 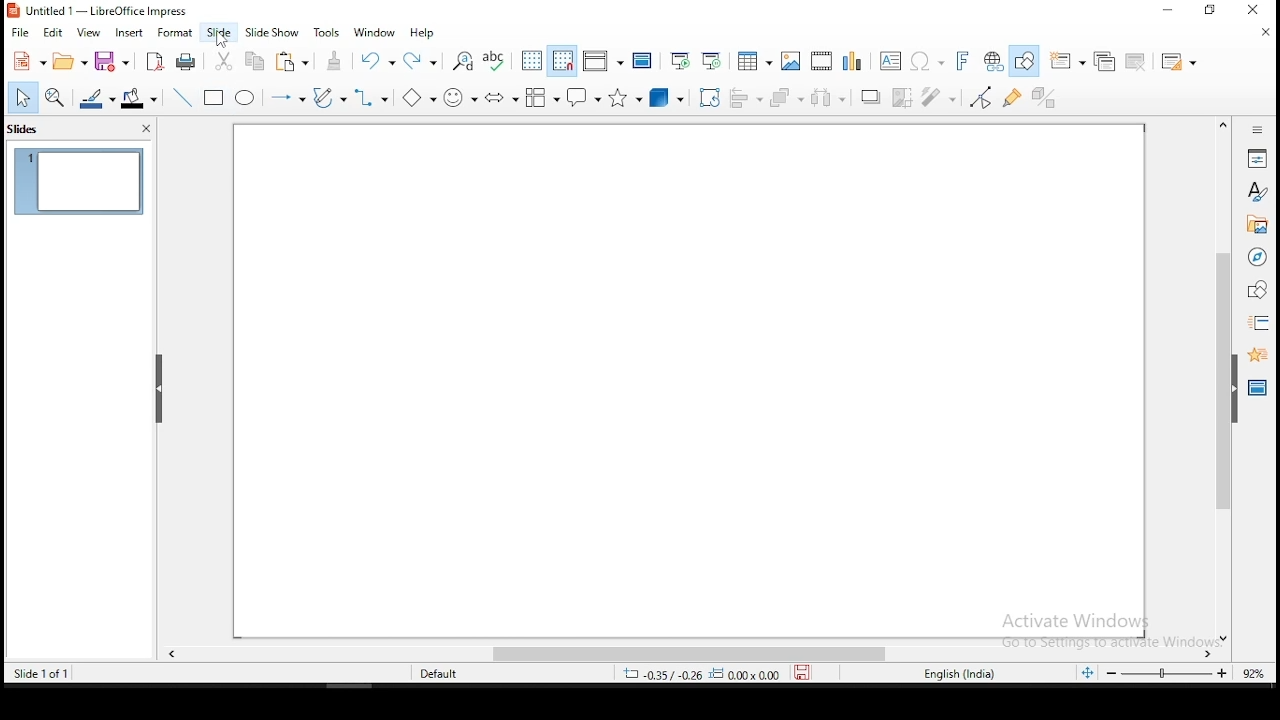 I want to click on slide show, so click(x=275, y=32).